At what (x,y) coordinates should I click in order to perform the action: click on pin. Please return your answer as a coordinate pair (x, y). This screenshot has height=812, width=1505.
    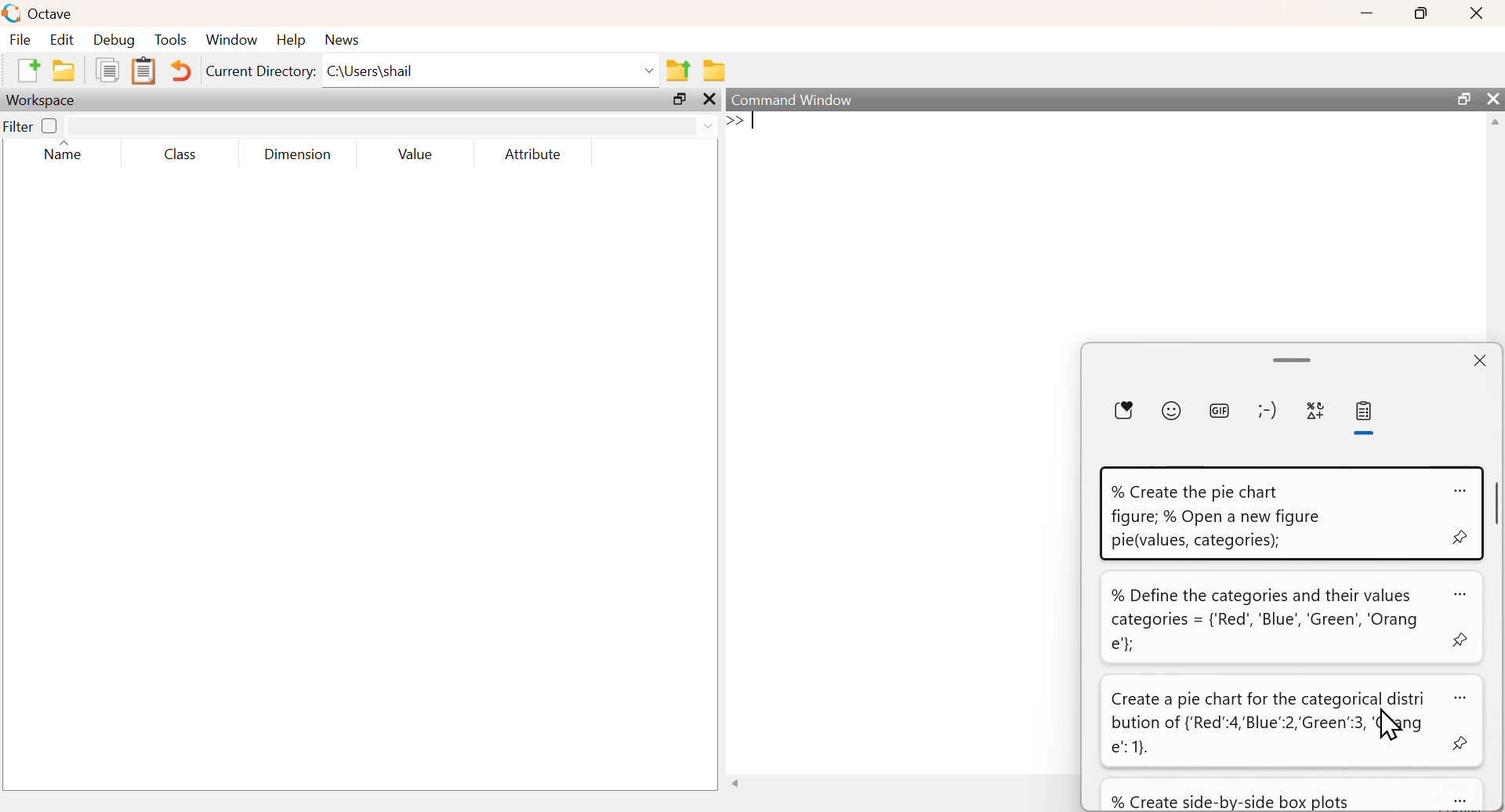
    Looking at the image, I should click on (1461, 535).